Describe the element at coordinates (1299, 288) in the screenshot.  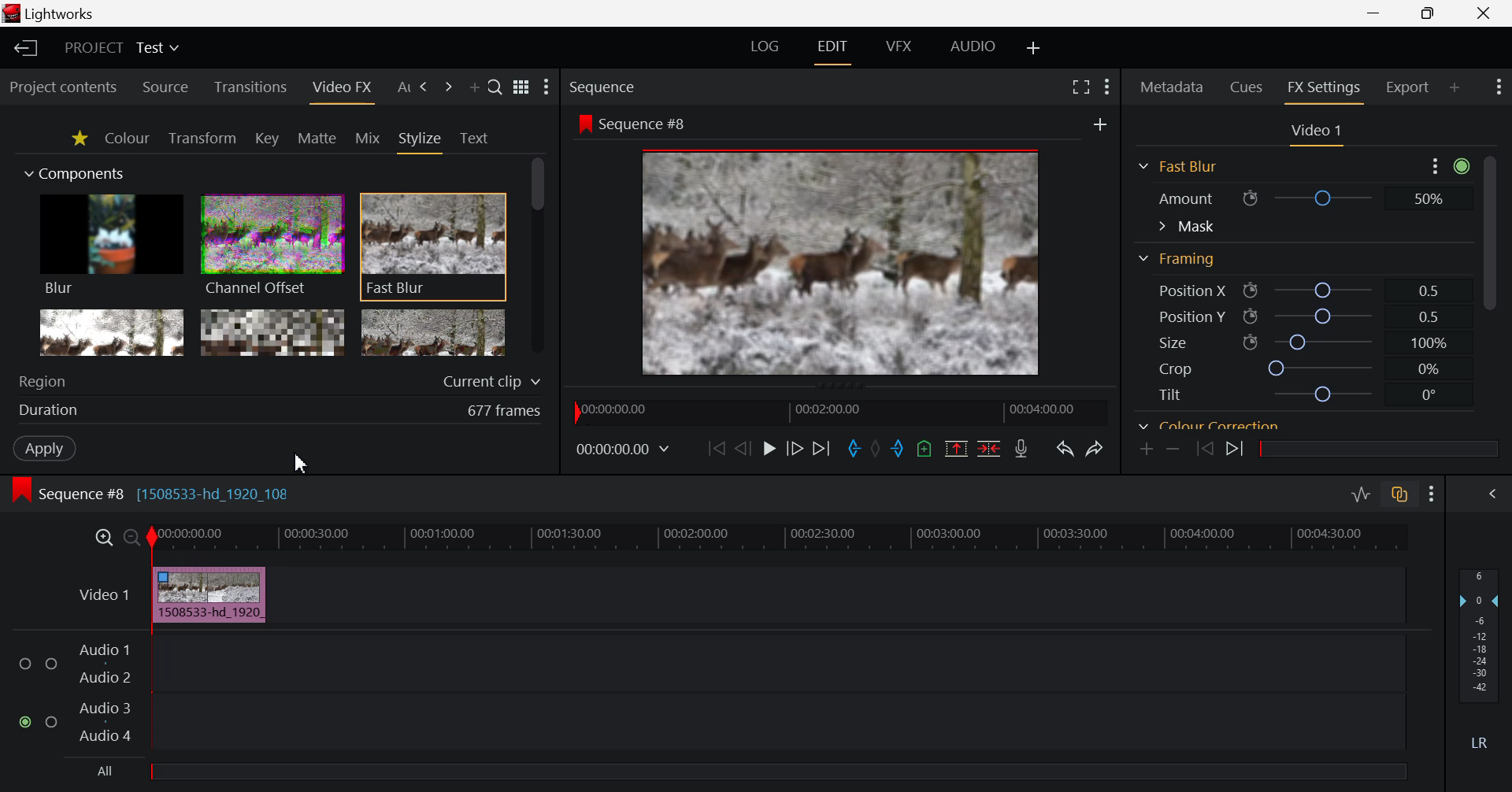
I see `Position X` at that location.